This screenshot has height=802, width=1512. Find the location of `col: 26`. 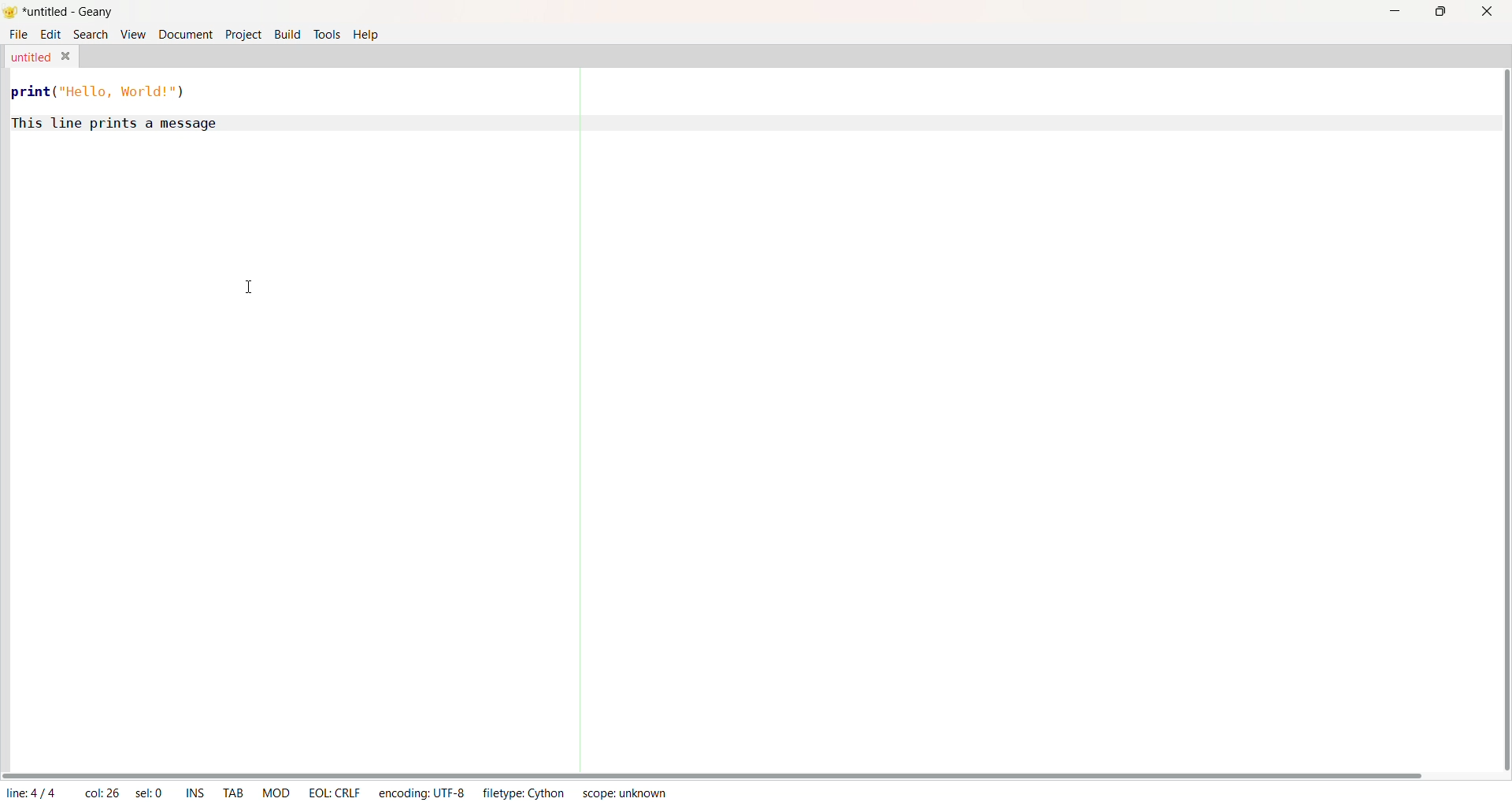

col: 26 is located at coordinates (100, 790).